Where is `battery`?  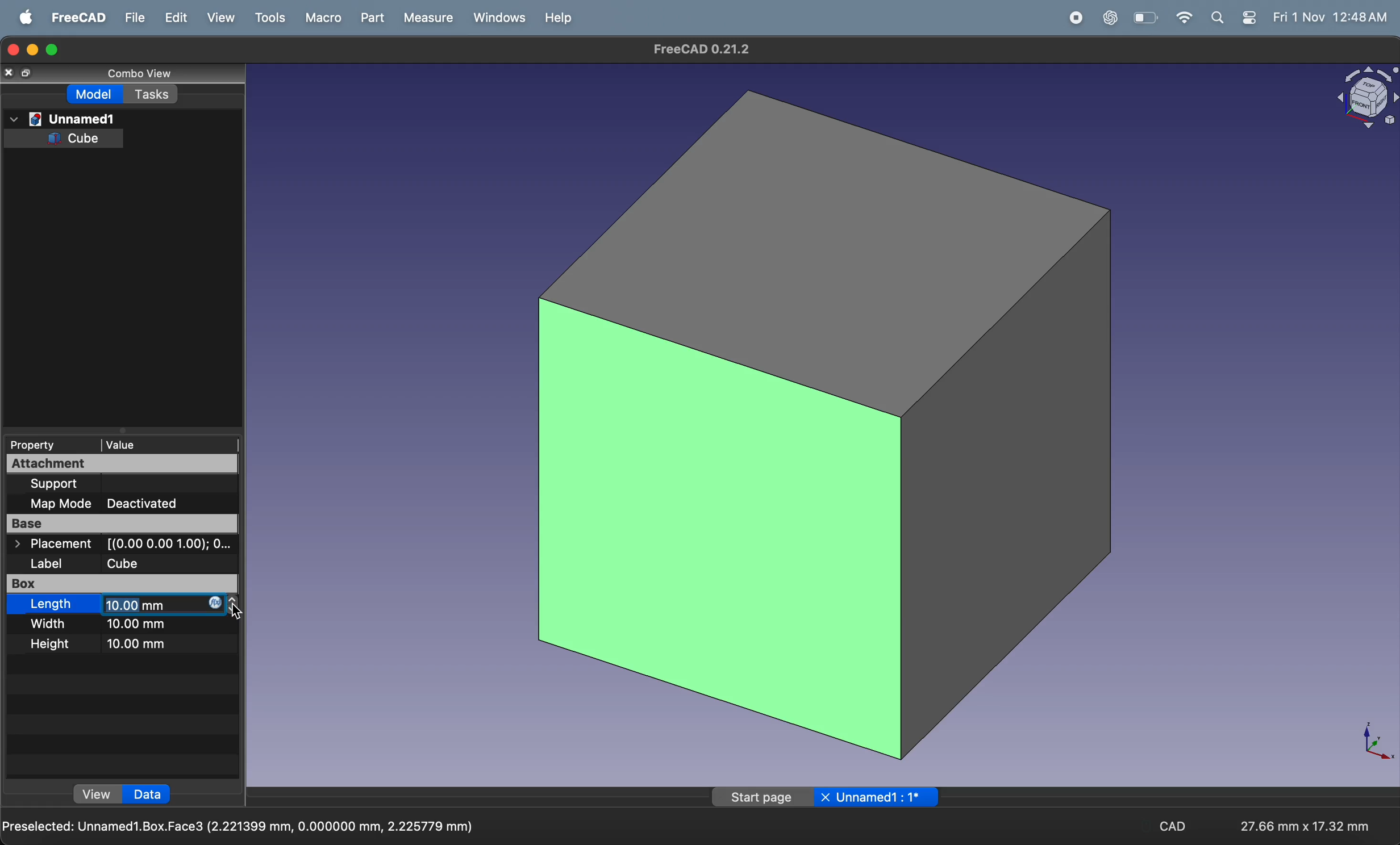 battery is located at coordinates (1147, 17).